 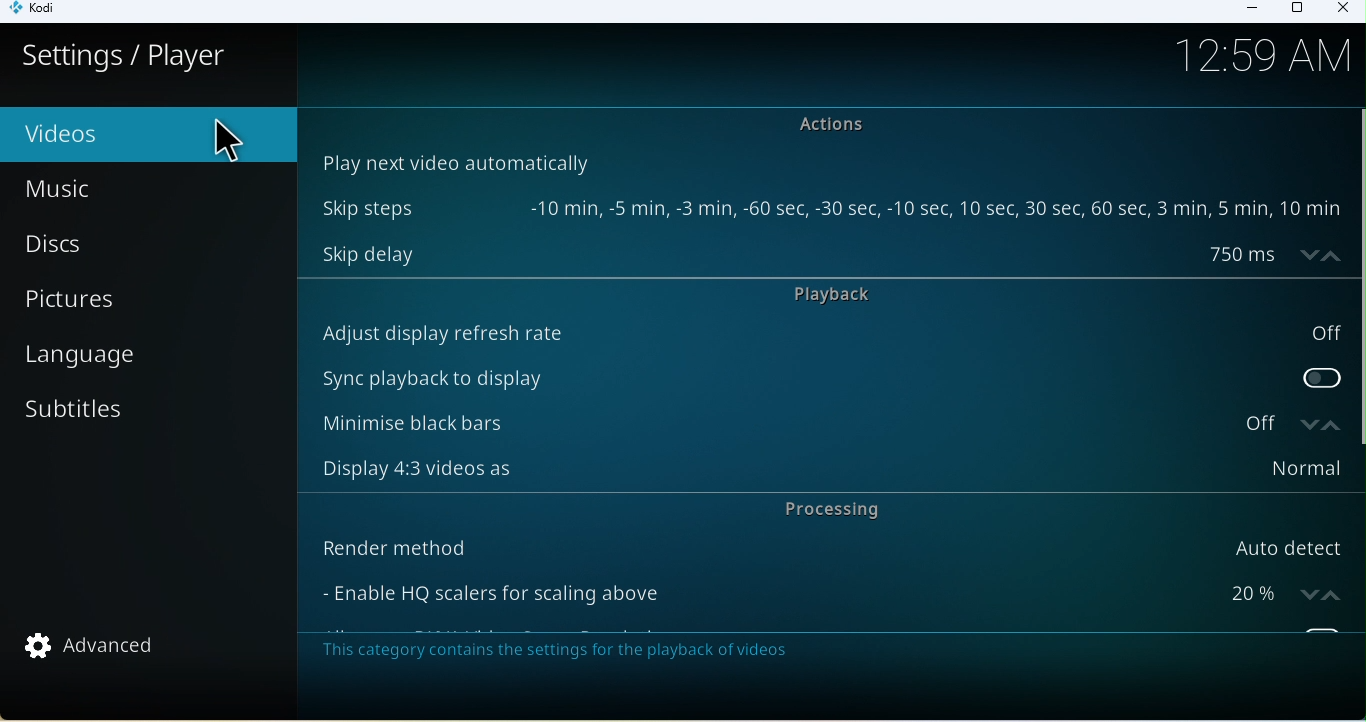 I want to click on Advanced, so click(x=102, y=649).